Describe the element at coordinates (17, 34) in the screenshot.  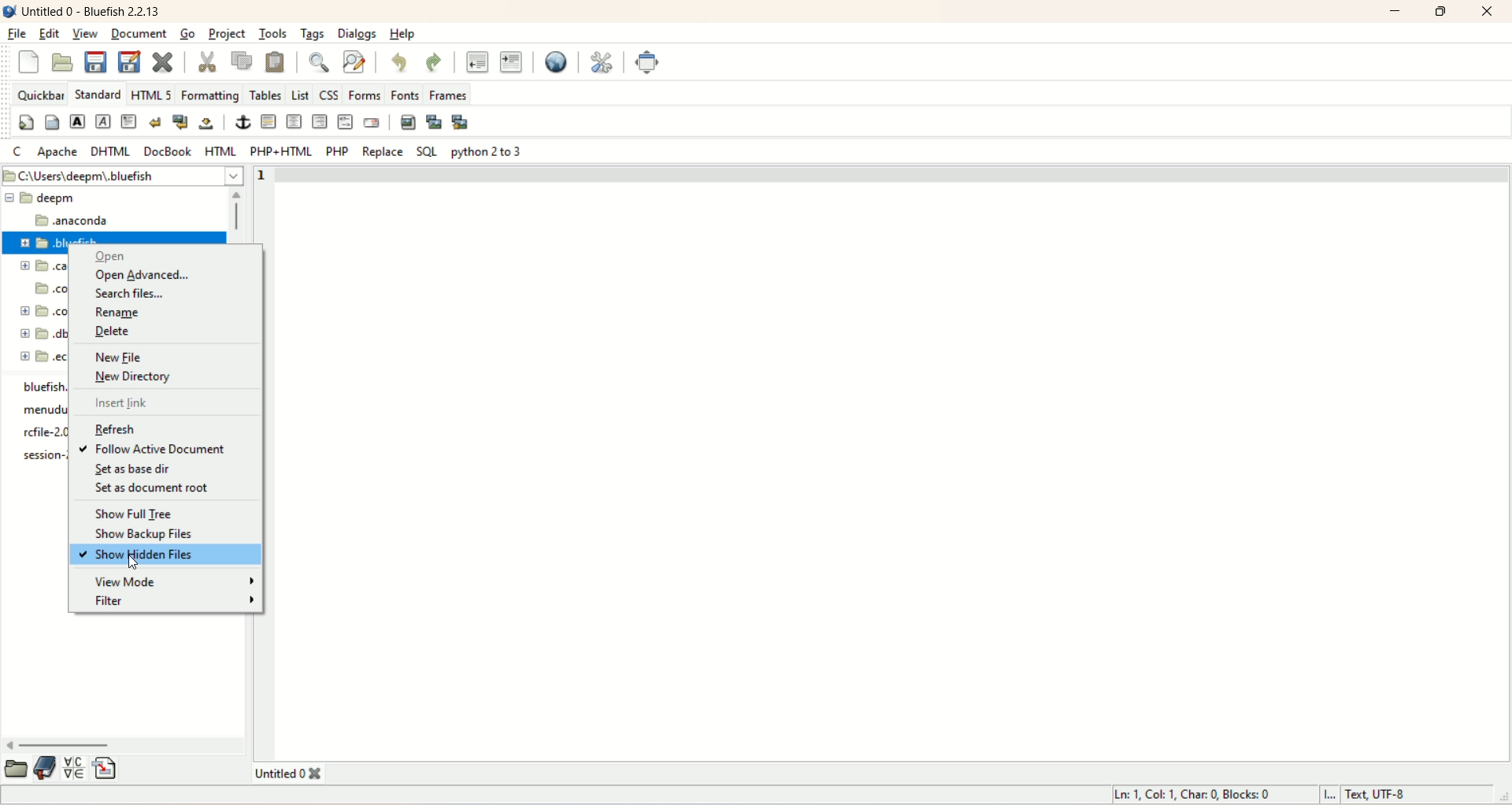
I see `file` at that location.